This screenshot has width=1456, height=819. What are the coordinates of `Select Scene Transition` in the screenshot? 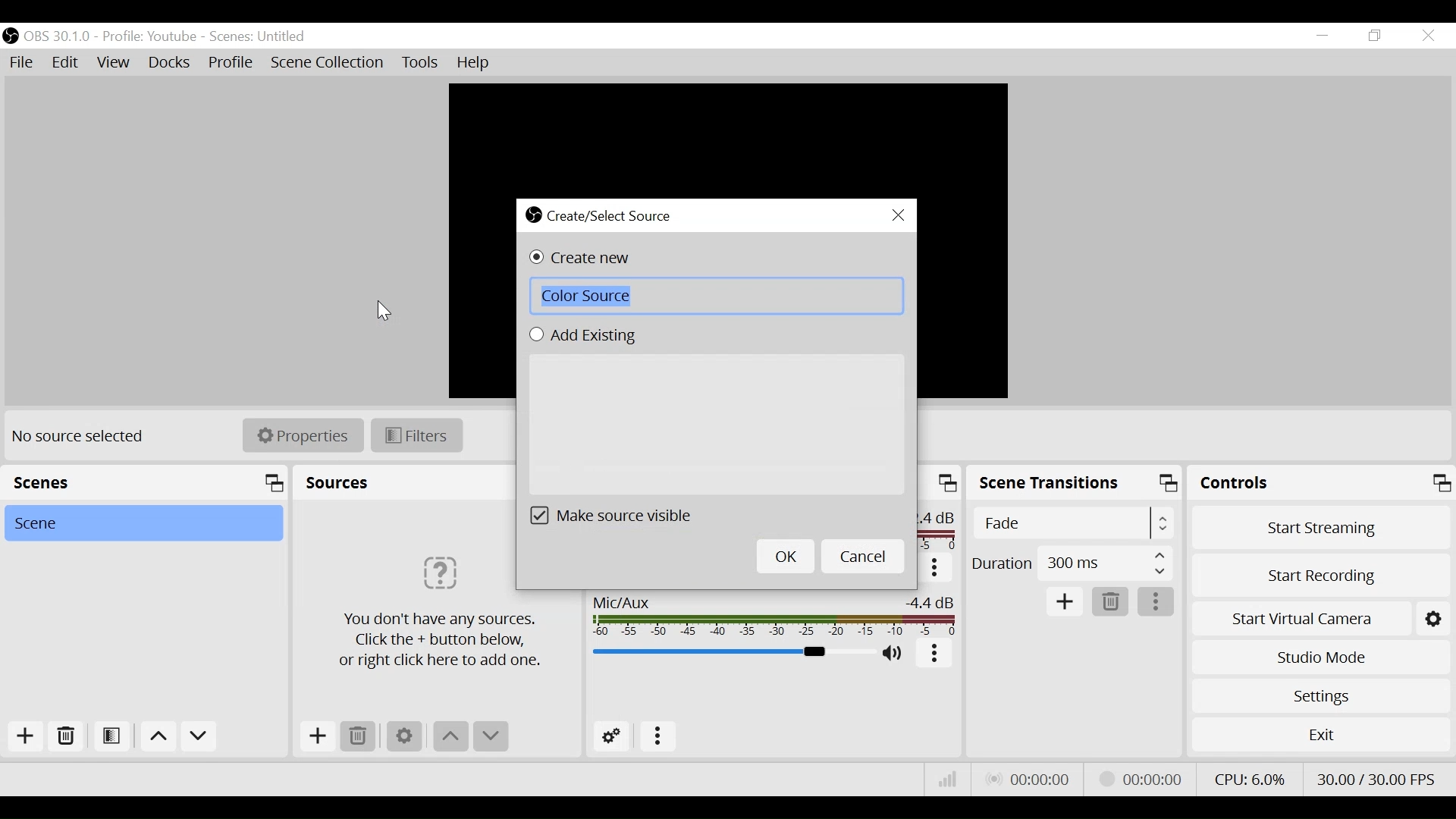 It's located at (1075, 525).